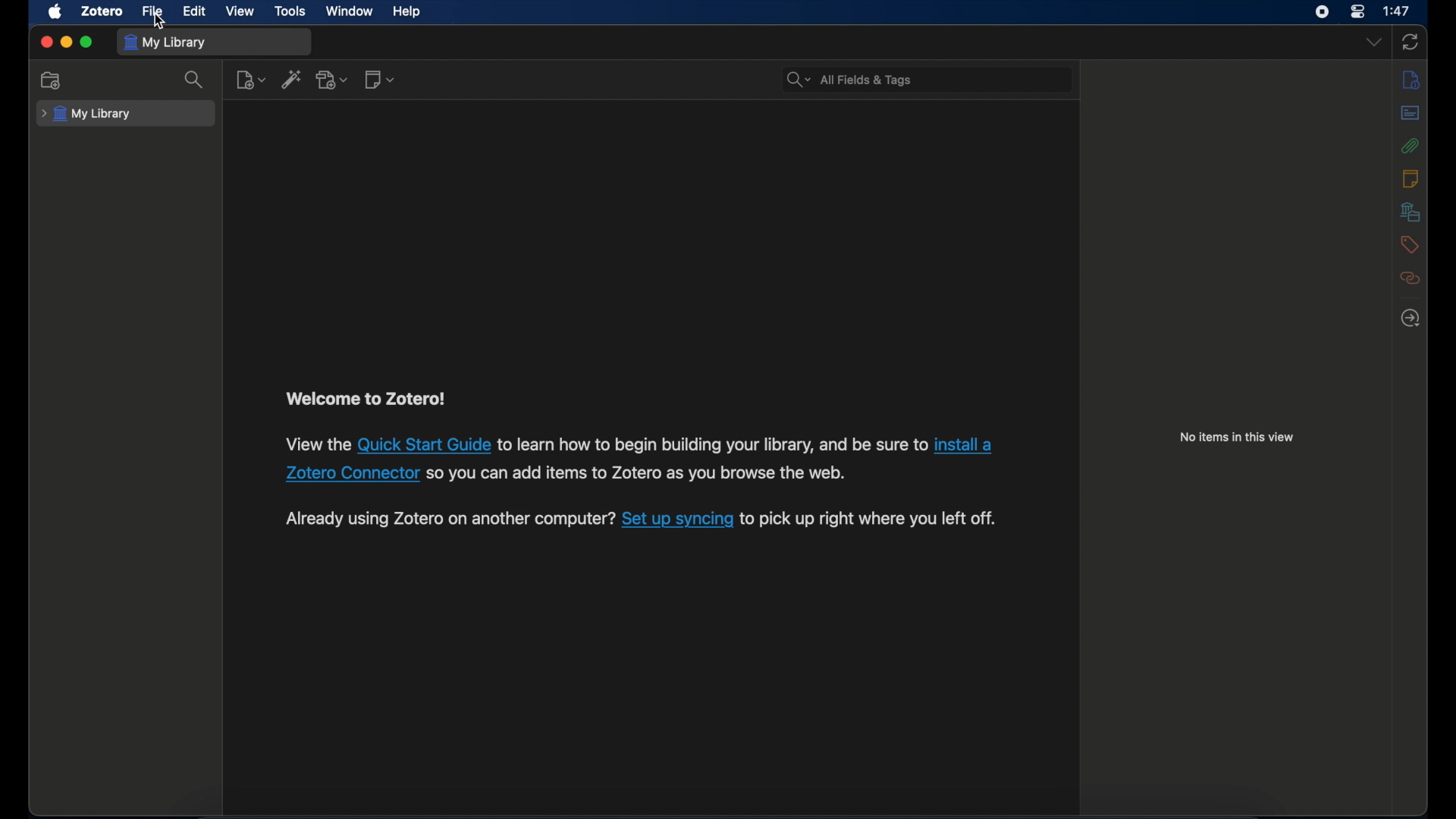 The height and width of the screenshot is (819, 1456). Describe the element at coordinates (365, 398) in the screenshot. I see `welcome to zotero` at that location.